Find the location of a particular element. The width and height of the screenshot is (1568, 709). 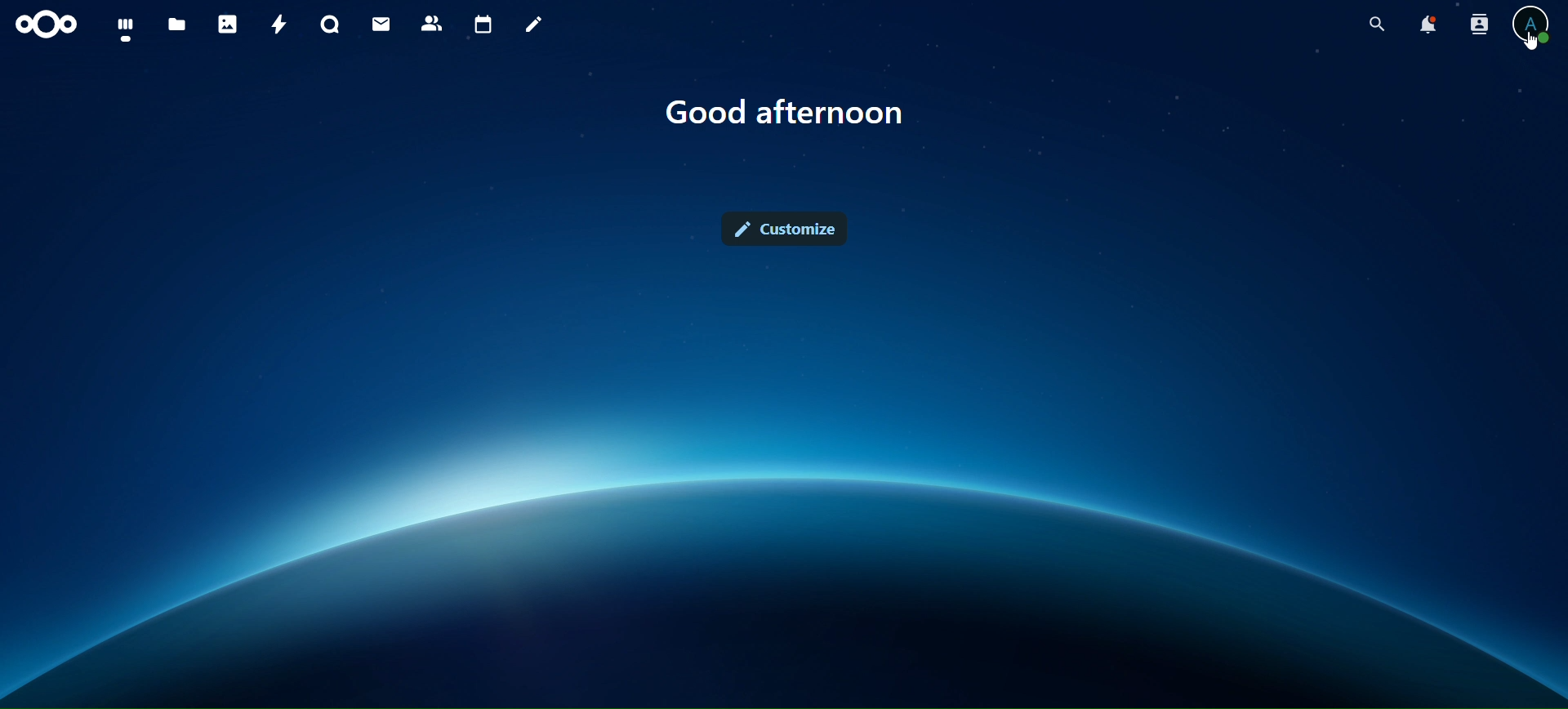

talk is located at coordinates (327, 26).